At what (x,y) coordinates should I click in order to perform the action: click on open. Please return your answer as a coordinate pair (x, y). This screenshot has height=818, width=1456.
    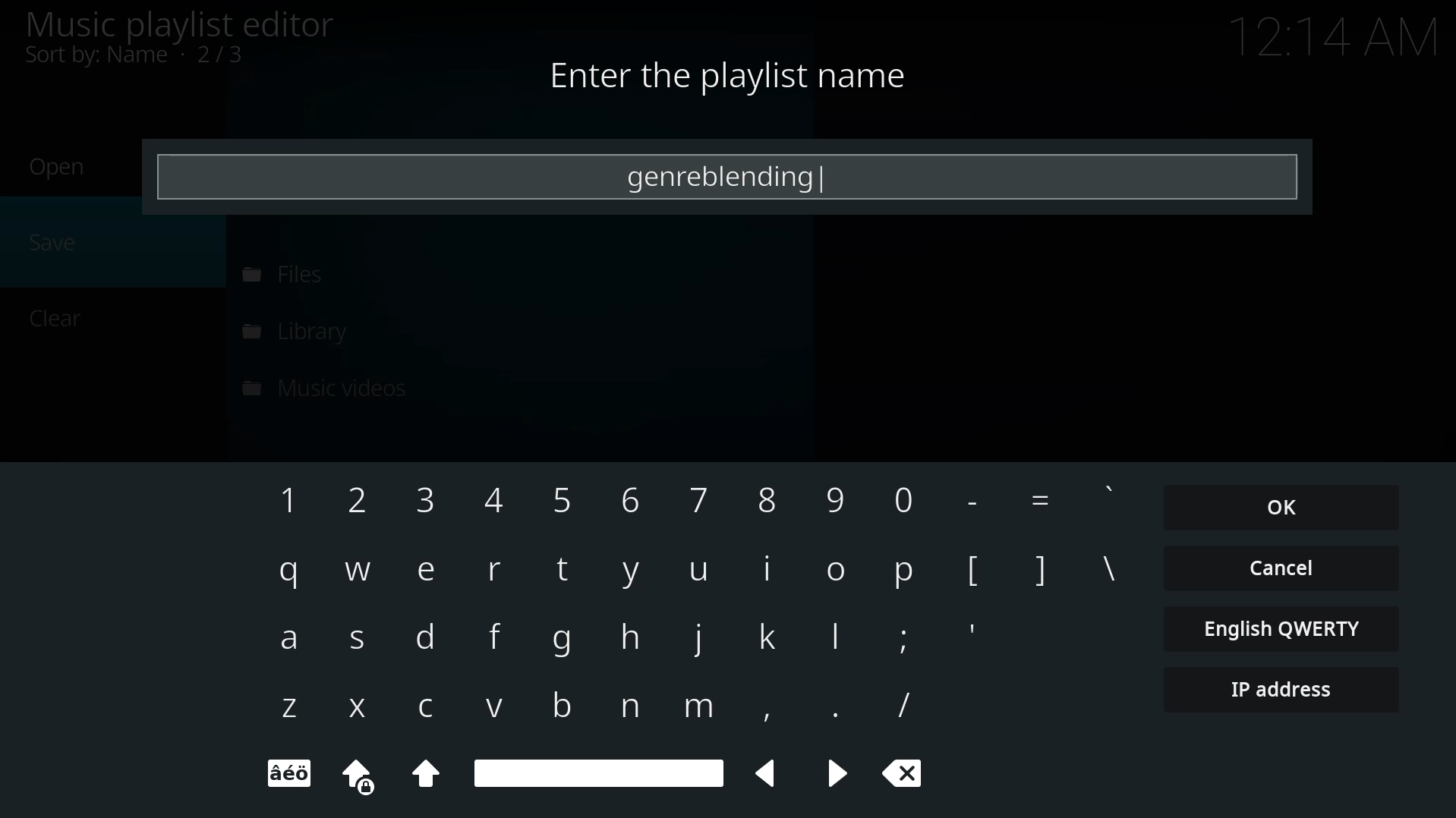
    Looking at the image, I should click on (60, 167).